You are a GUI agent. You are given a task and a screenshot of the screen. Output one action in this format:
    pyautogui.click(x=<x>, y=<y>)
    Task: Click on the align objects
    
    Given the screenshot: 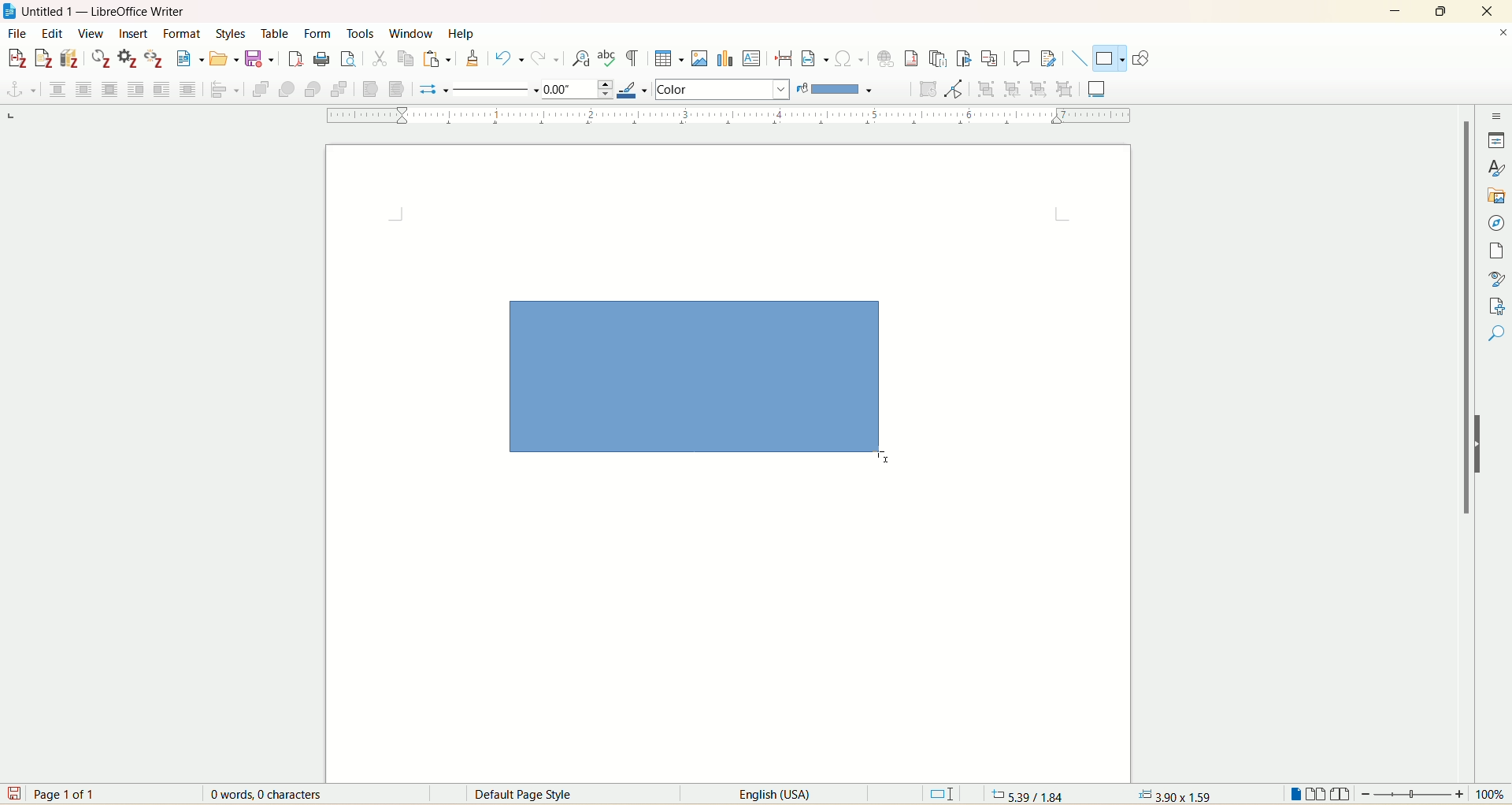 What is the action you would take?
    pyautogui.click(x=226, y=90)
    